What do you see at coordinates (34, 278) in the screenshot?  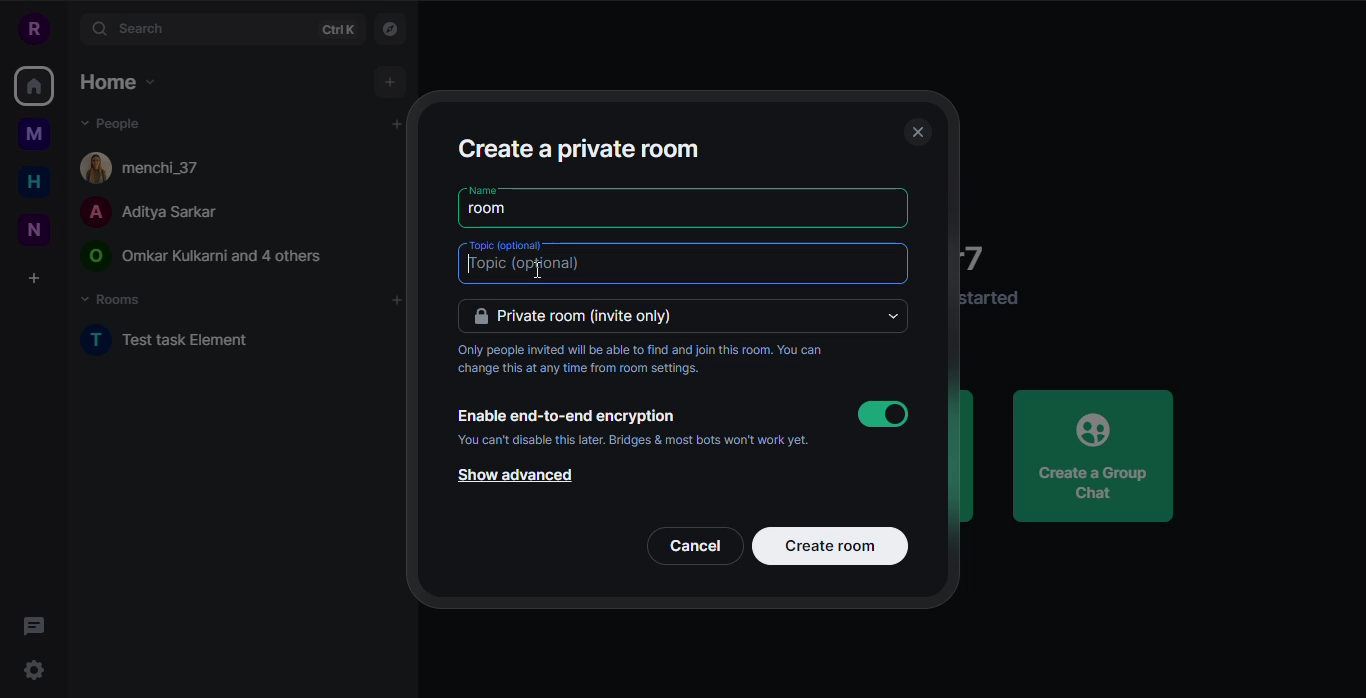 I see `create a space` at bounding box center [34, 278].